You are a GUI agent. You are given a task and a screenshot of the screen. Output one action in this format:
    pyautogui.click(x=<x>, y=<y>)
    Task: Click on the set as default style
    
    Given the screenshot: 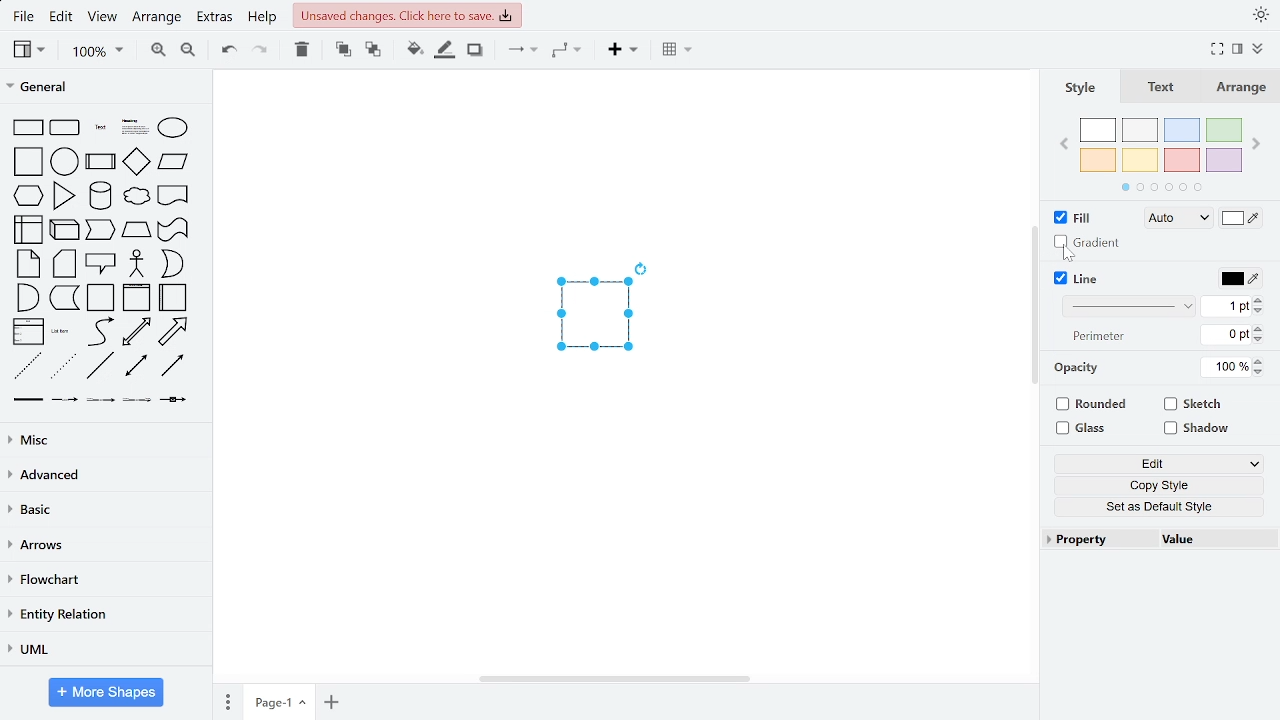 What is the action you would take?
    pyautogui.click(x=1162, y=507)
    